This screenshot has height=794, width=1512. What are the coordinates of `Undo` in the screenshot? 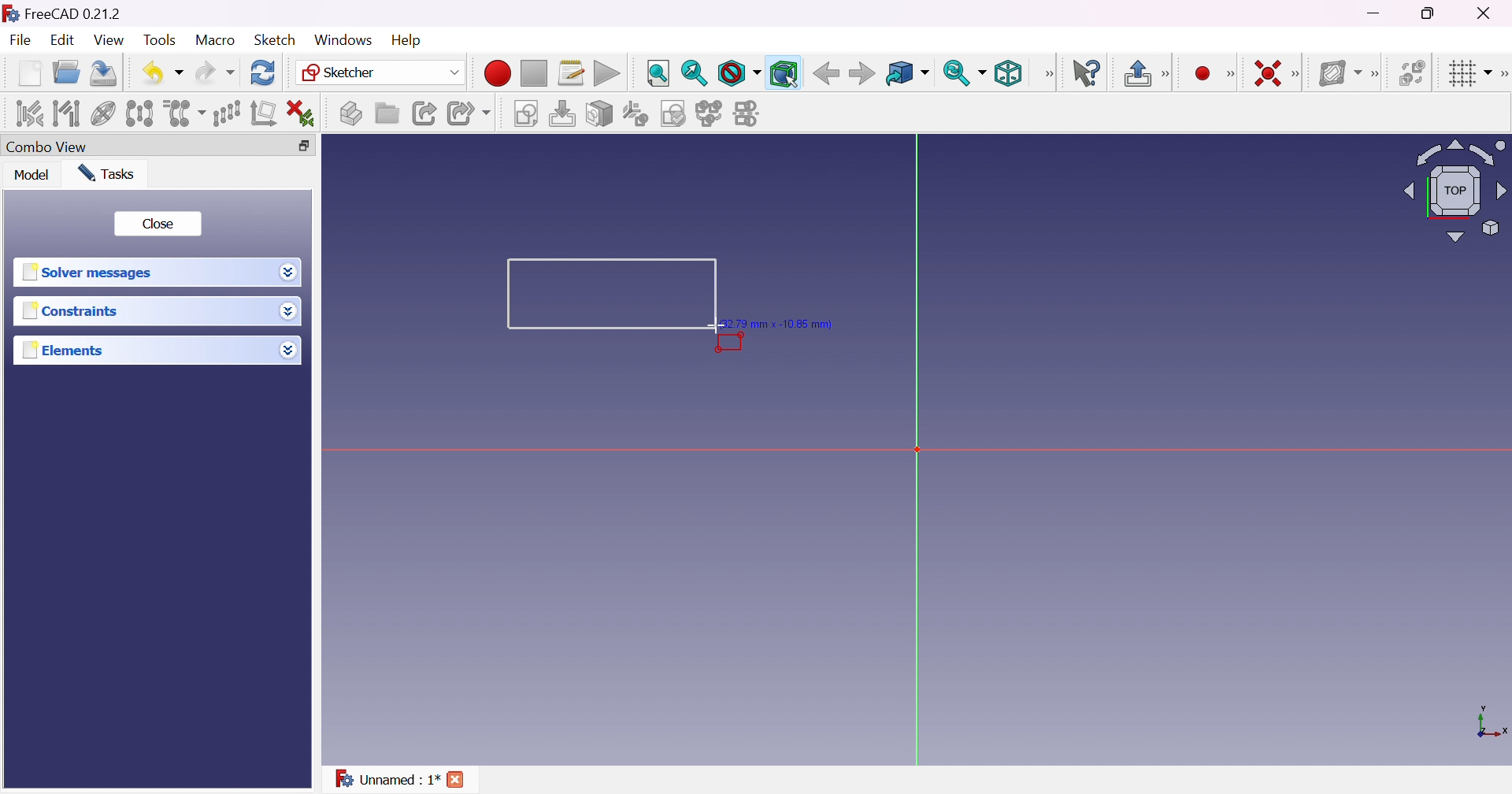 It's located at (163, 76).